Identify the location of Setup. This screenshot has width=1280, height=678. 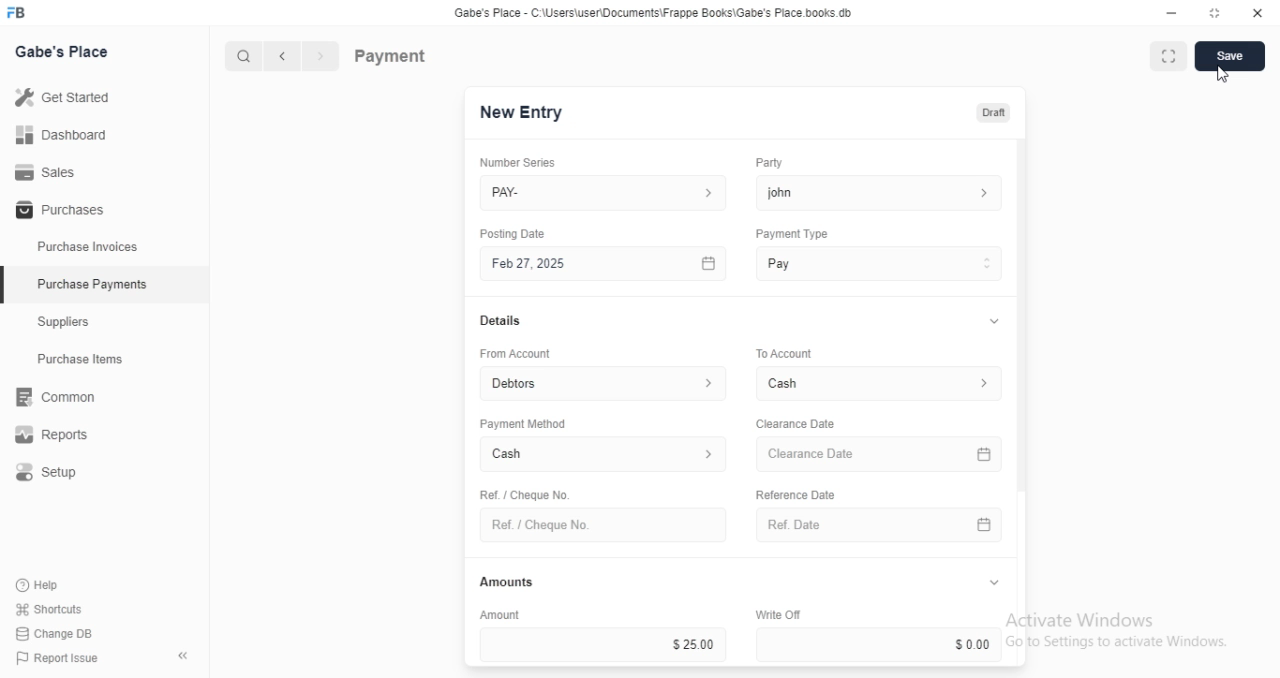
(61, 473).